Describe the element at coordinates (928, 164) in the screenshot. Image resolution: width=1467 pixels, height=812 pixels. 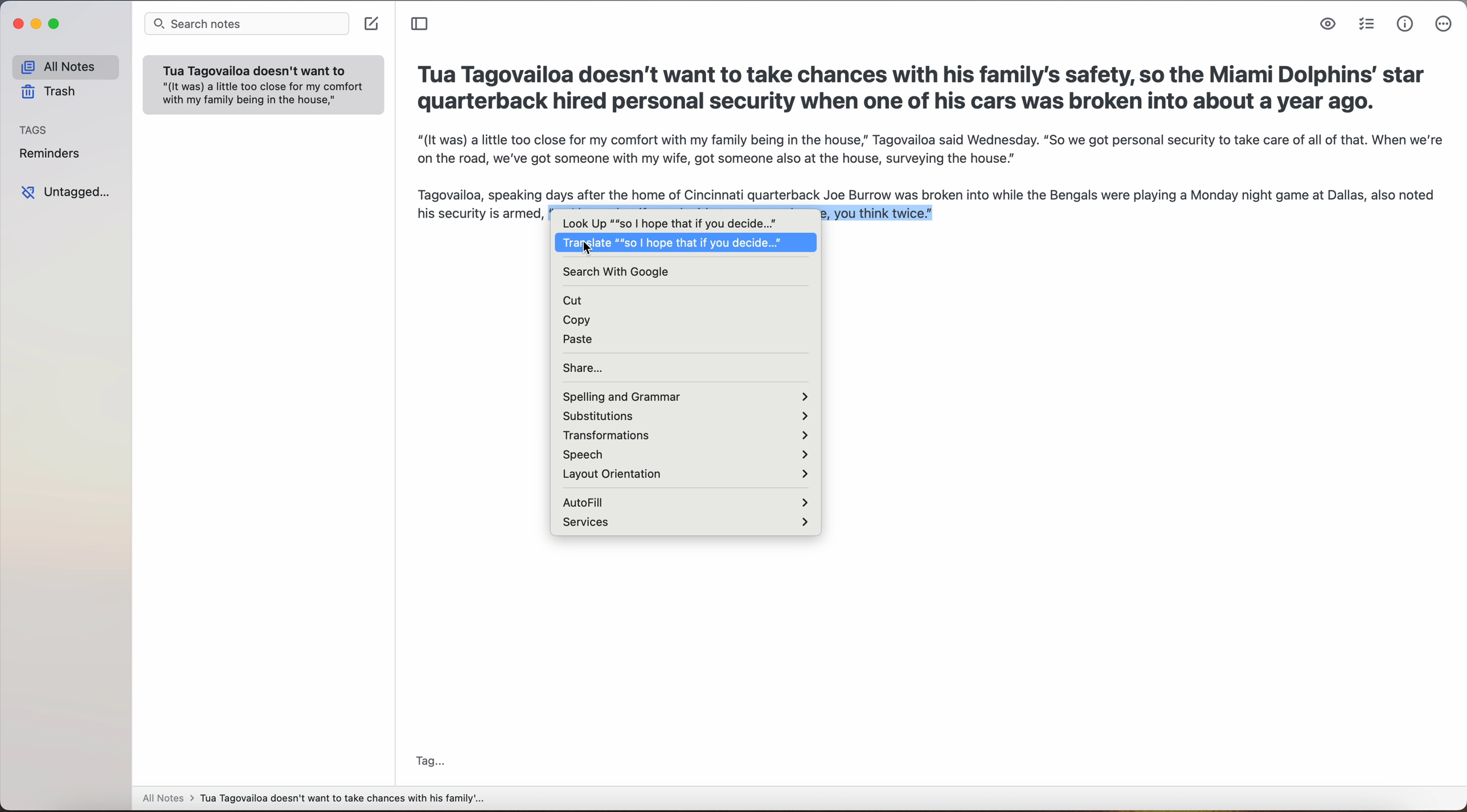
I see `"(It was) a little too close for my comfort with my family being in the house,” Tagovailoa said Wednesday. “So we got personal security to take care of all of that. When we’re on the road, we’ve got someone with my wife, got someone also at the house, surveying the house.”` at that location.